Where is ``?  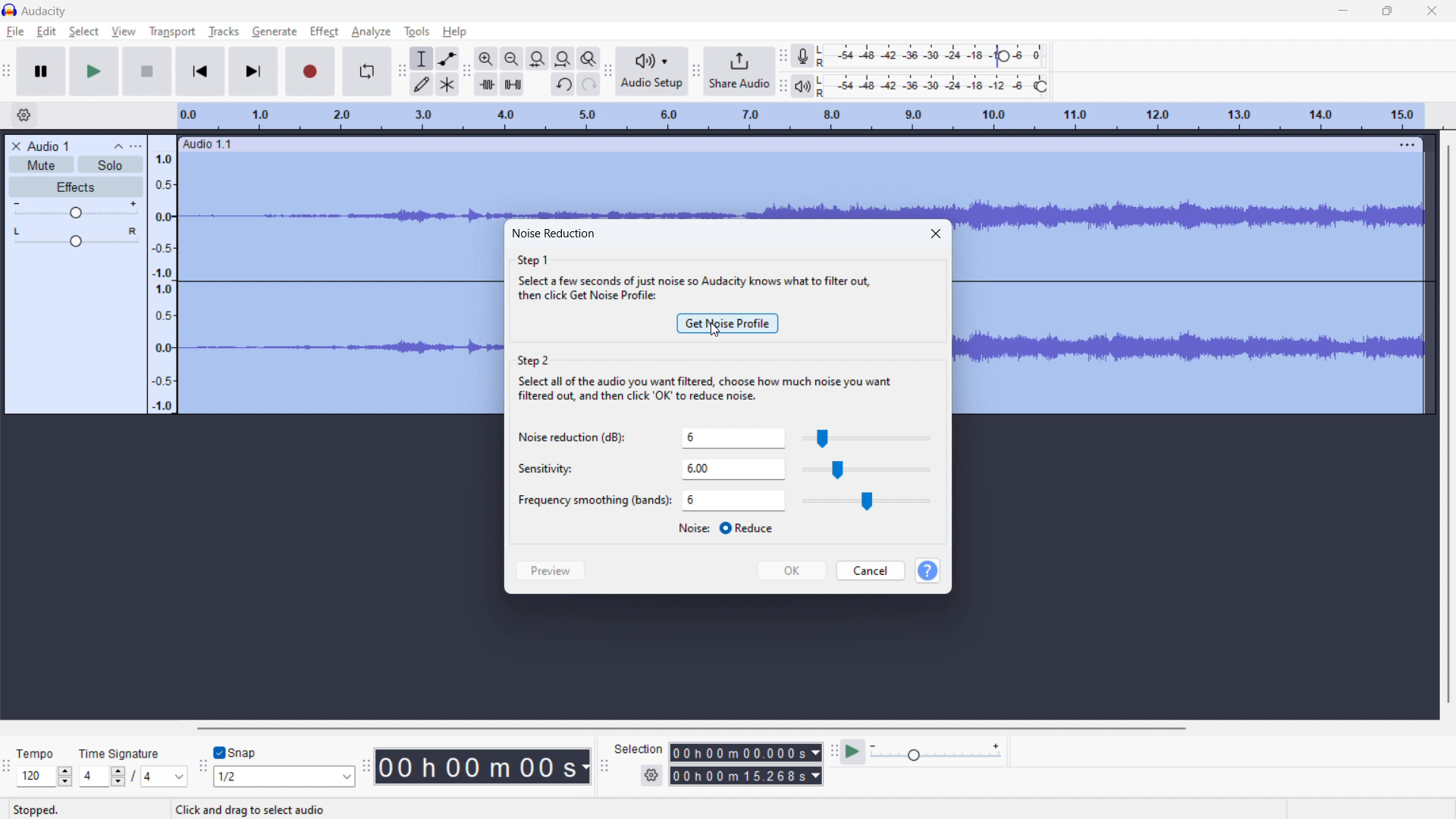  is located at coordinates (591, 501).